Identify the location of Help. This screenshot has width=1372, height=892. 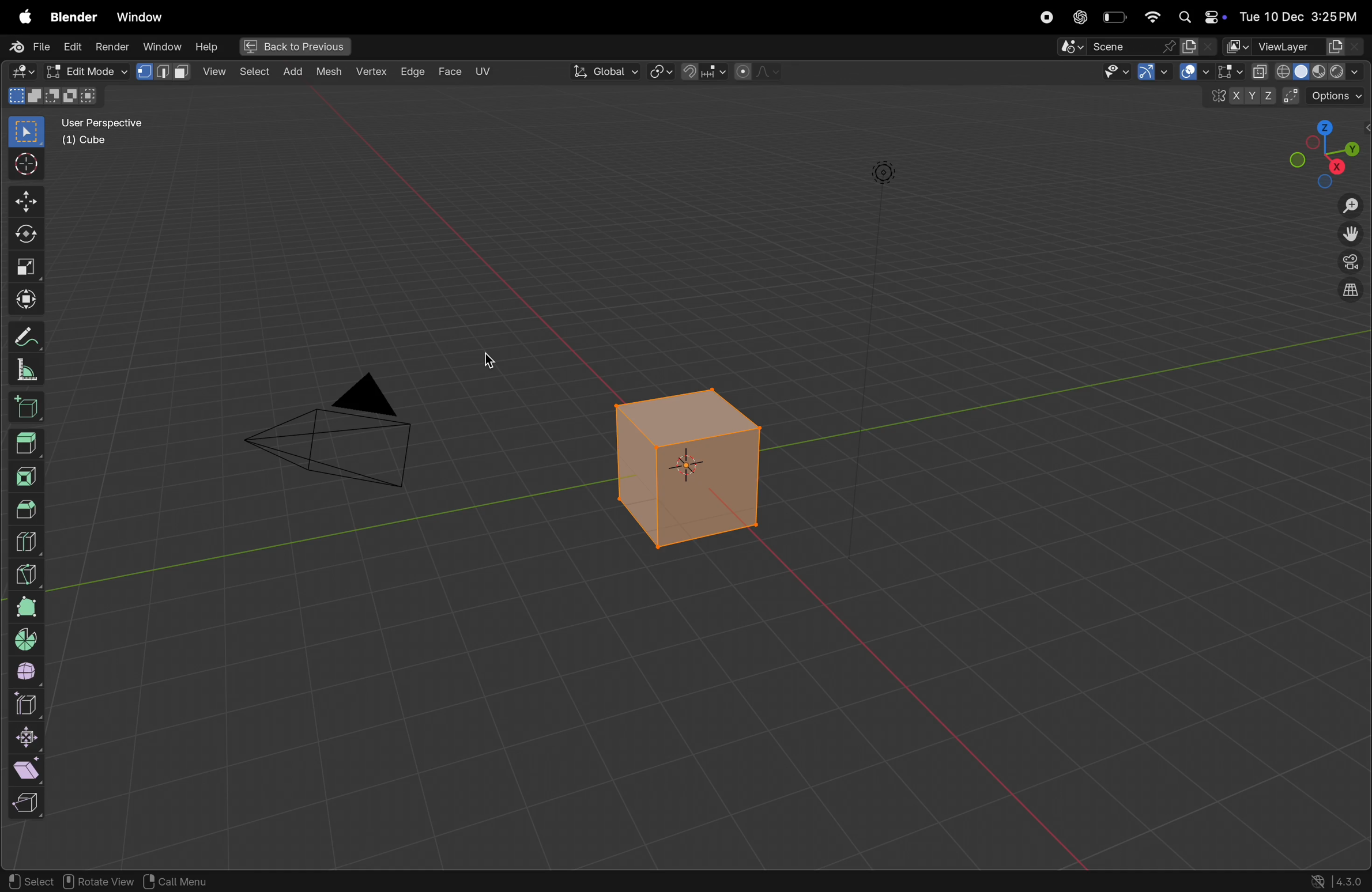
(208, 47).